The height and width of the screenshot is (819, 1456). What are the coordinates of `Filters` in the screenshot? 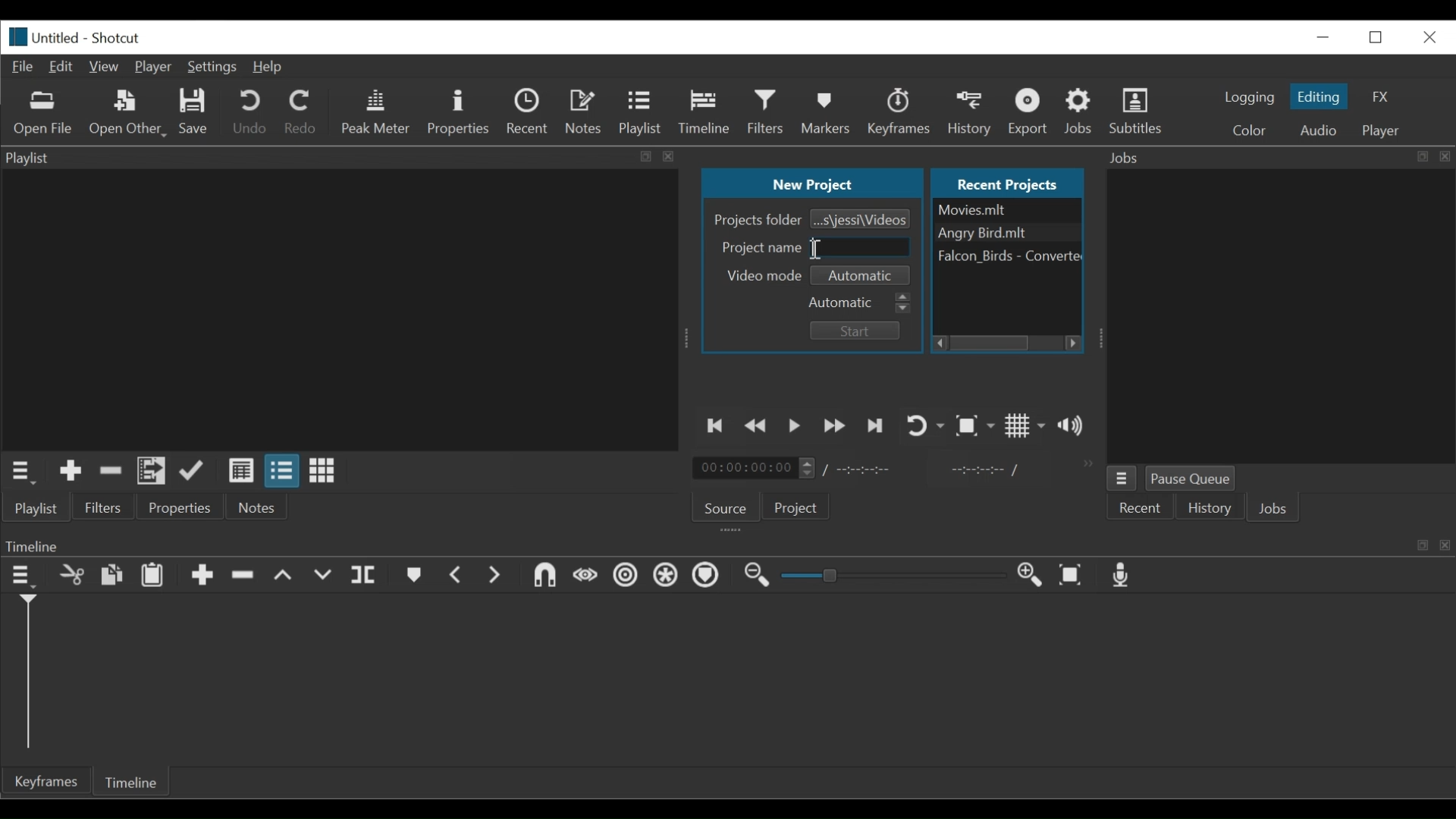 It's located at (104, 507).